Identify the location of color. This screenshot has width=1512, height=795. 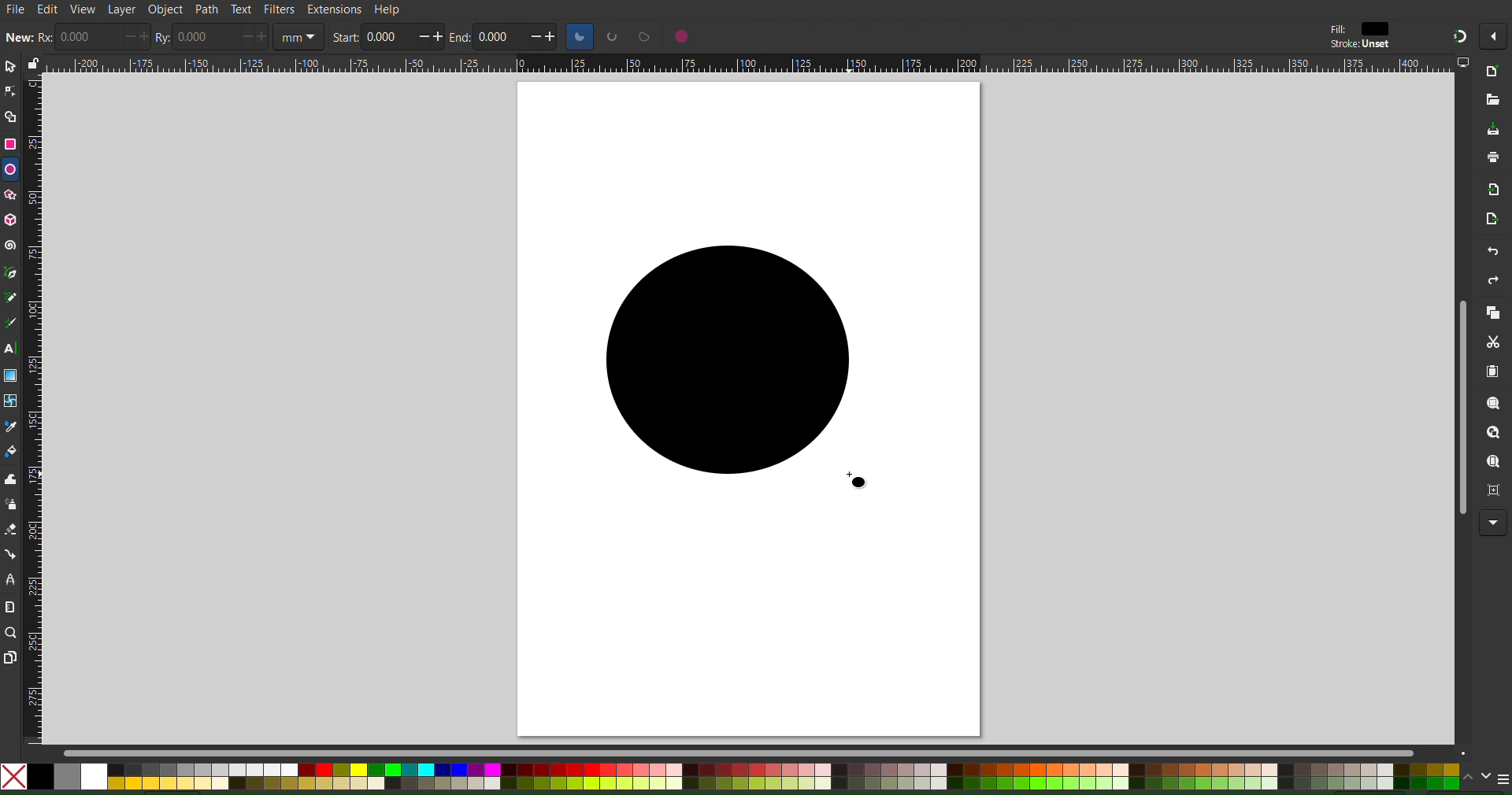
(1377, 28).